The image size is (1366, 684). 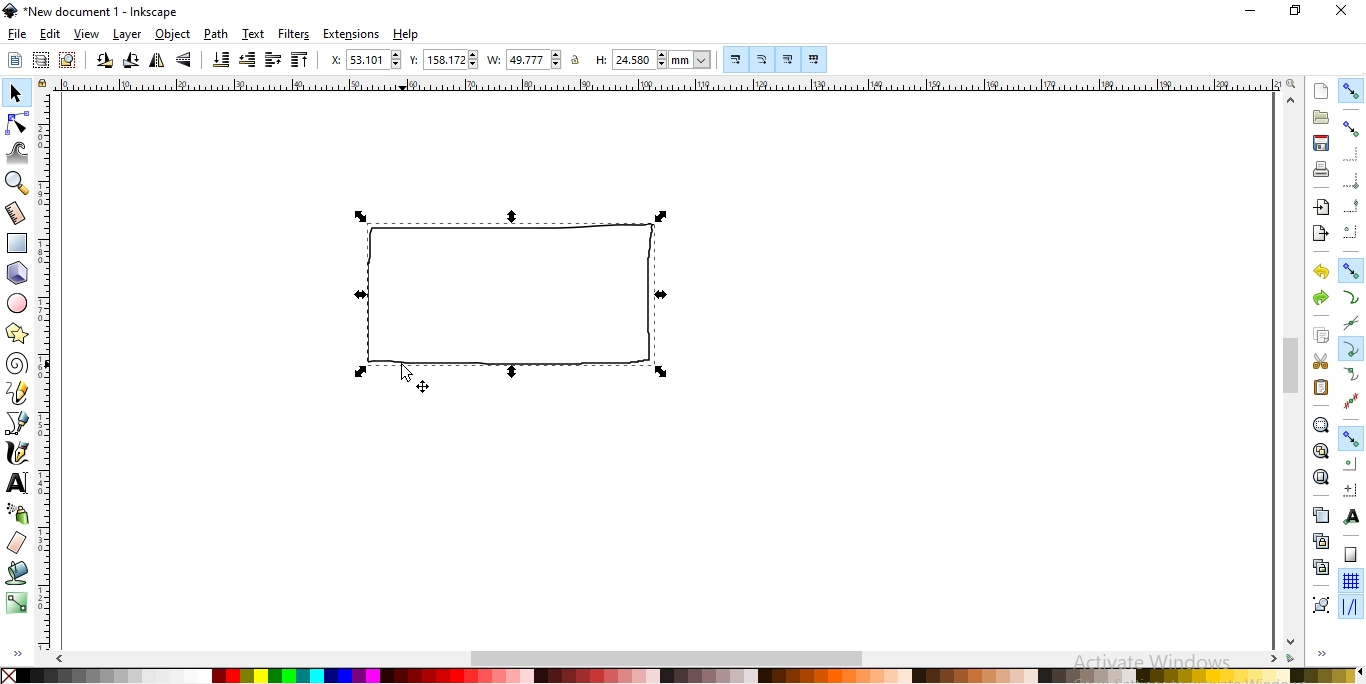 I want to click on draw bezier curves and straight lines, so click(x=18, y=423).